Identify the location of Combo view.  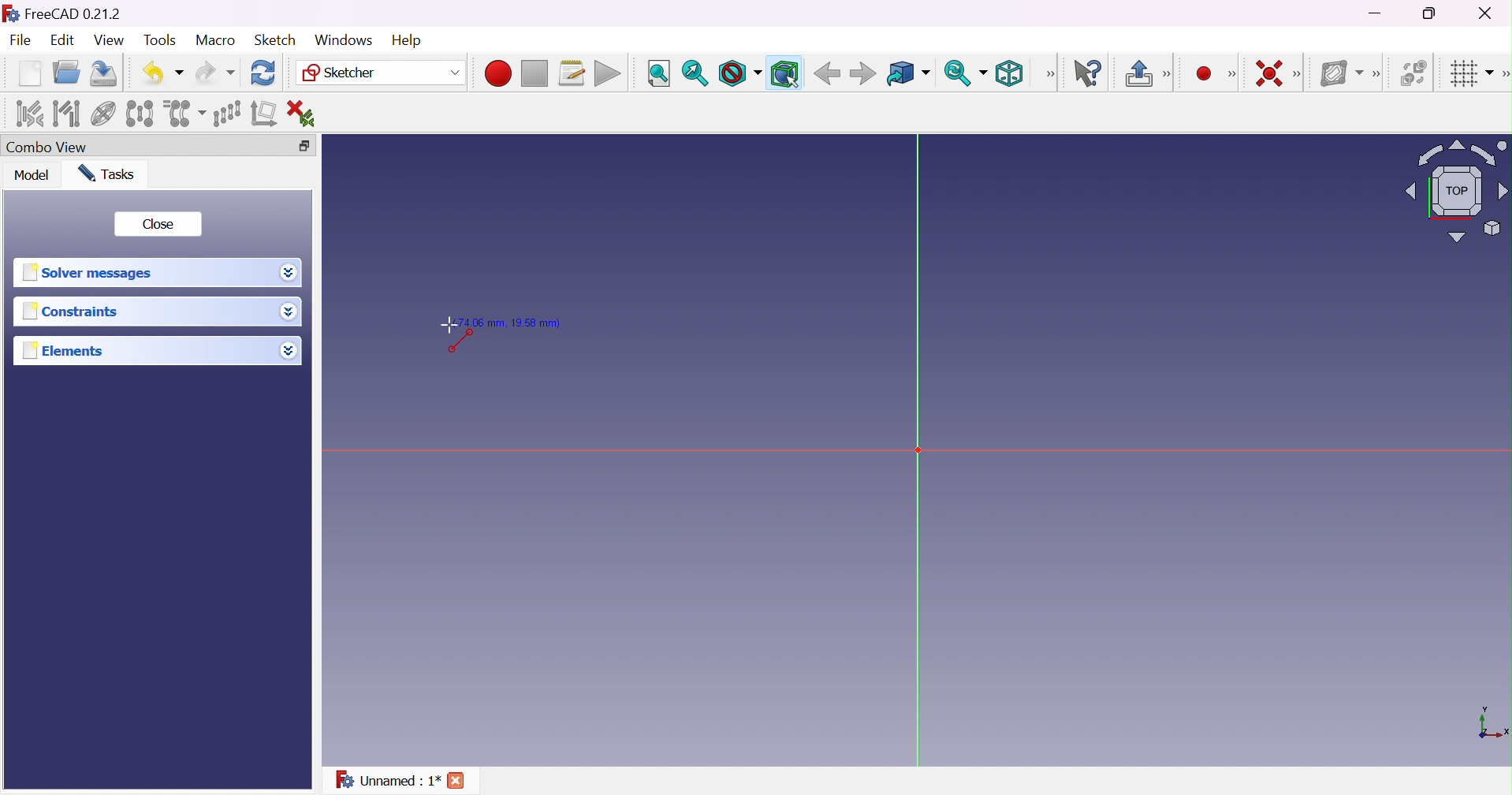
(50, 147).